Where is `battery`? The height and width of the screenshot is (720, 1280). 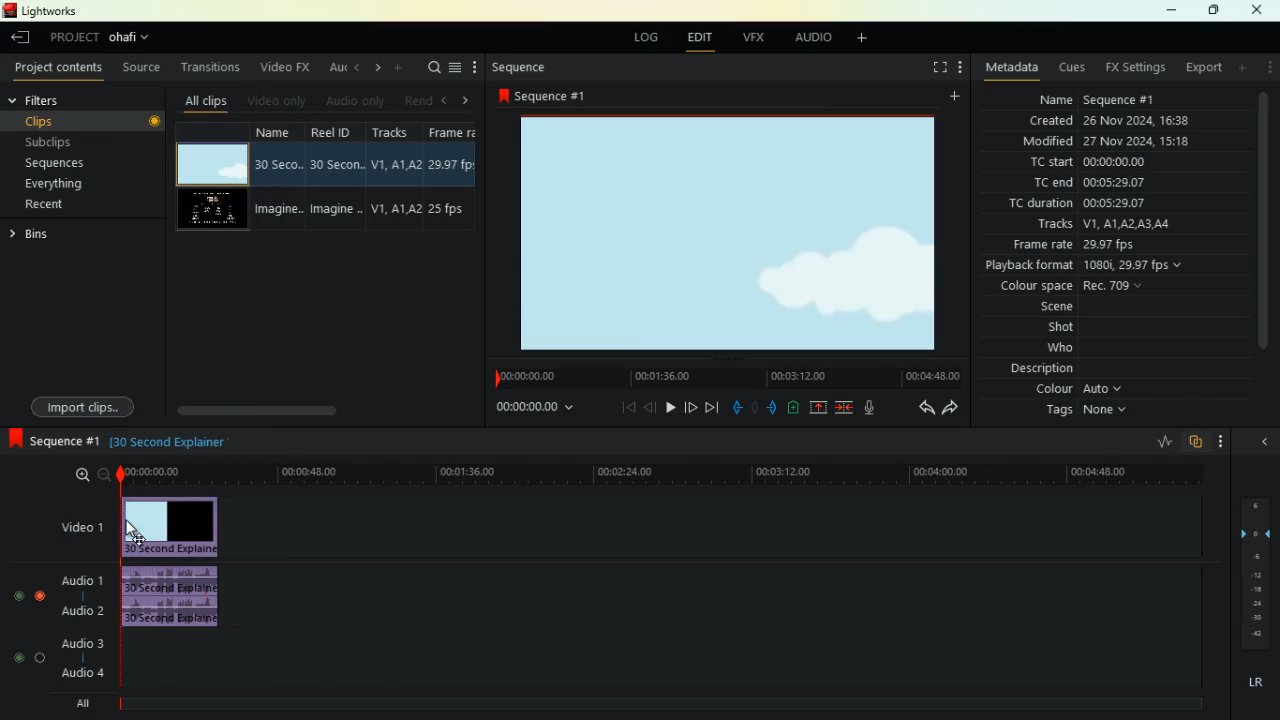 battery is located at coordinates (792, 409).